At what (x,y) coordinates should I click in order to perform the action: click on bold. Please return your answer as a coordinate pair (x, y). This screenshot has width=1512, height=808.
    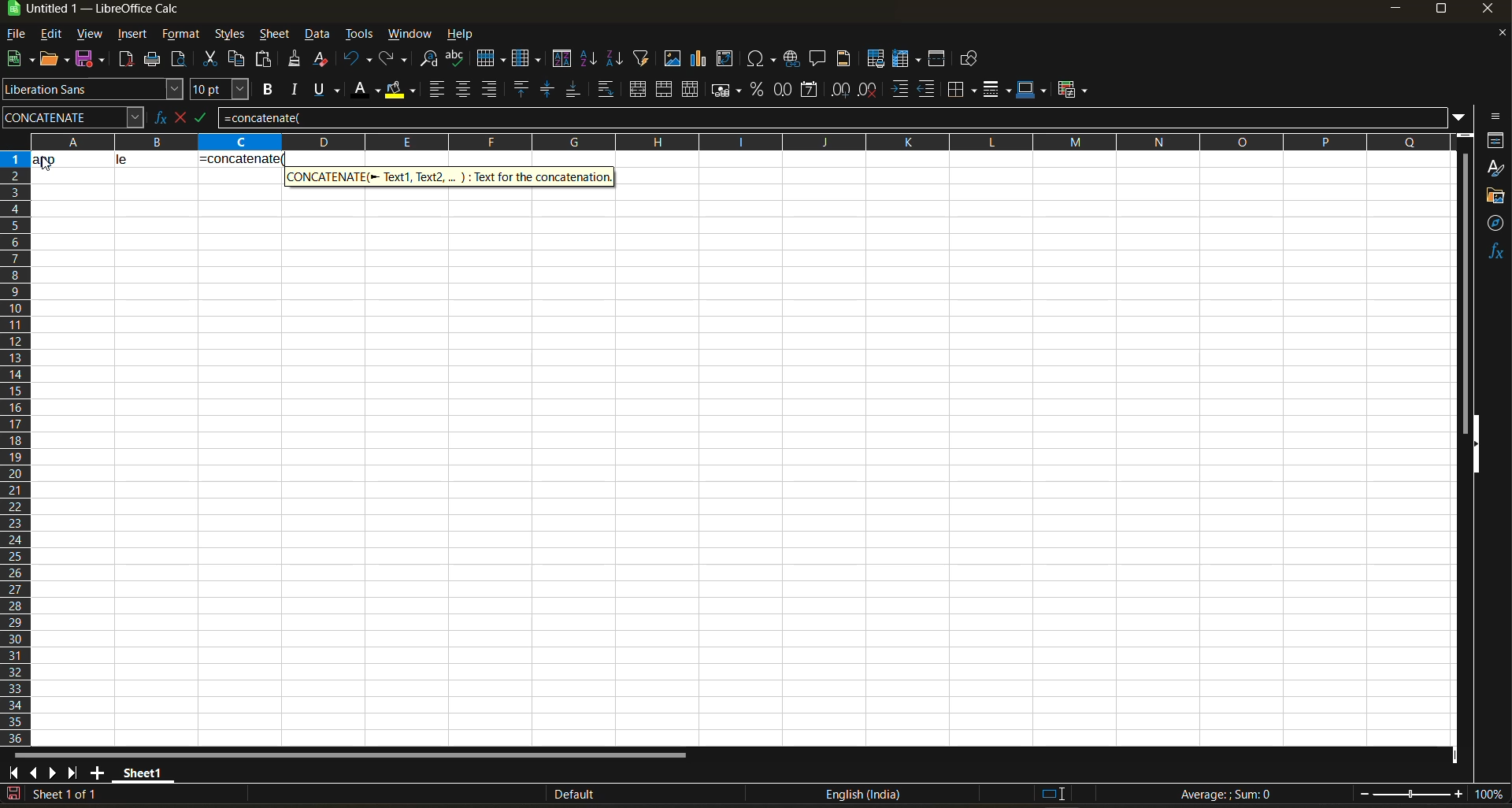
    Looking at the image, I should click on (265, 90).